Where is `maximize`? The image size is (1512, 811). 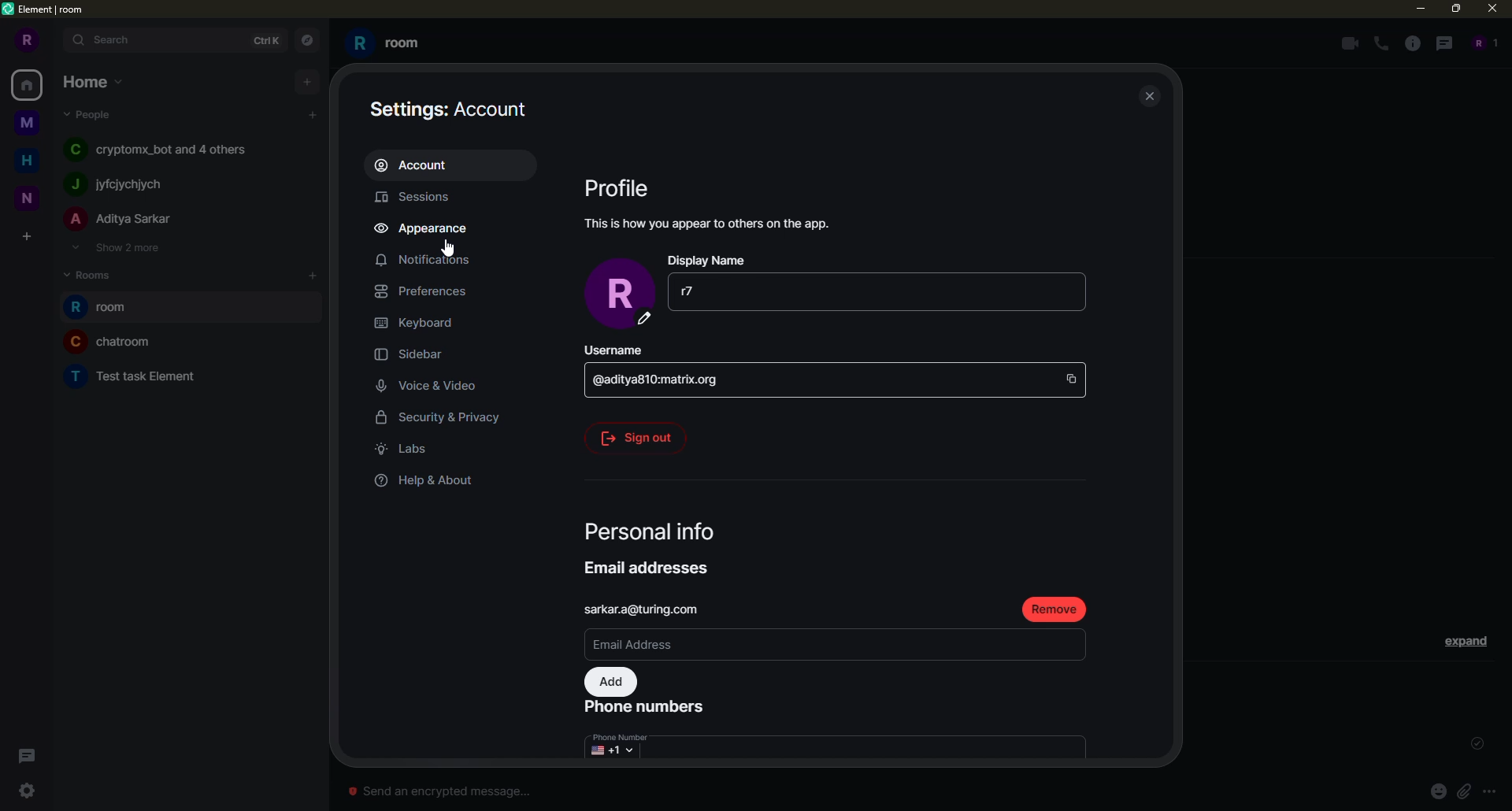 maximize is located at coordinates (1457, 9).